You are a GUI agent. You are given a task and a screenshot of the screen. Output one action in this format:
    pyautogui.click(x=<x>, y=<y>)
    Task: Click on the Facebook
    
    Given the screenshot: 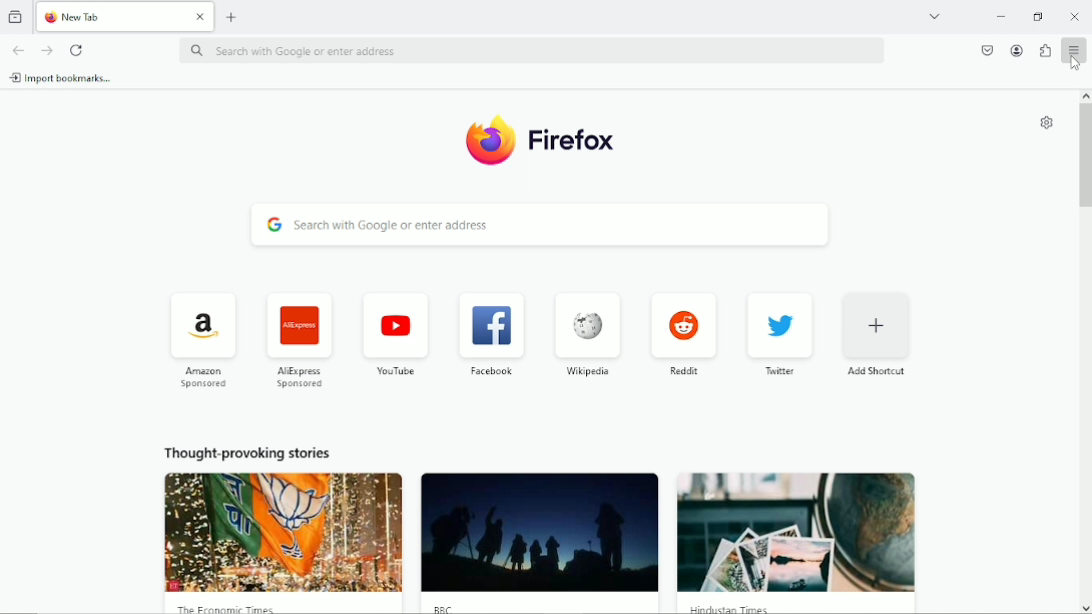 What is the action you would take?
    pyautogui.click(x=491, y=331)
    